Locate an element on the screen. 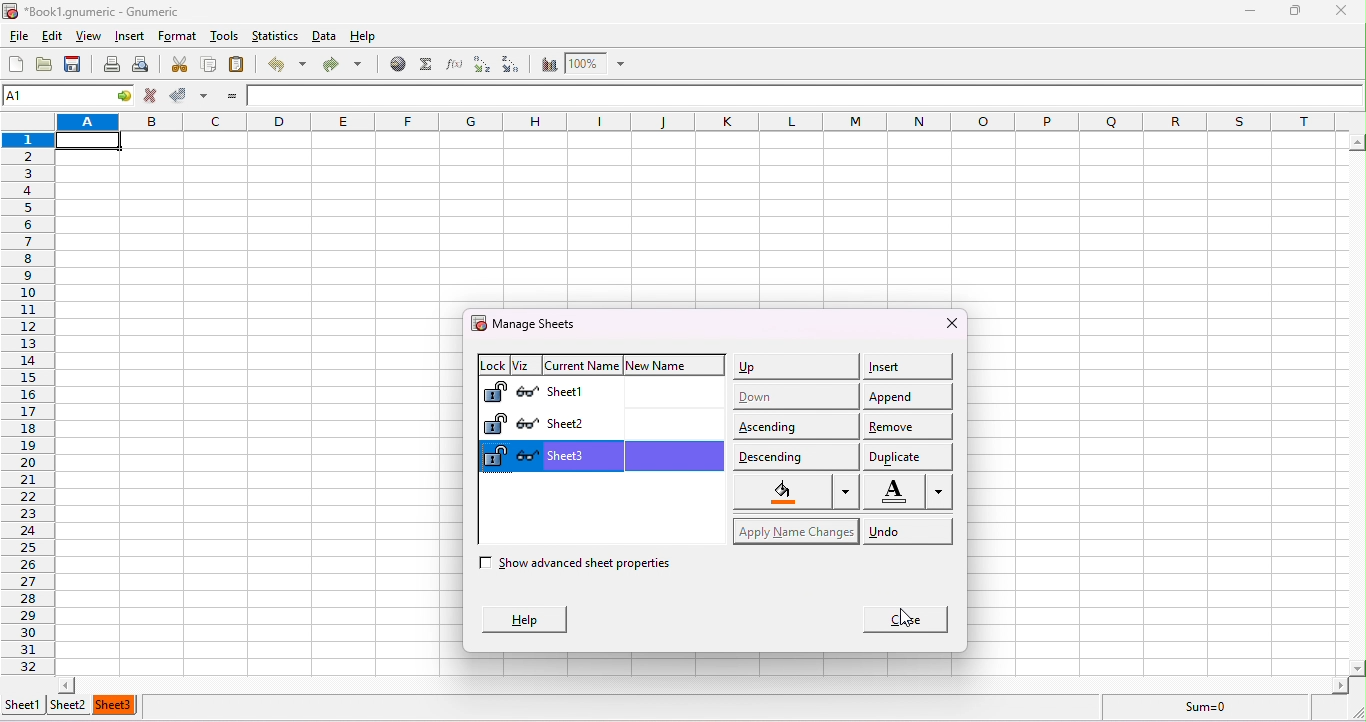  go to is located at coordinates (126, 96).